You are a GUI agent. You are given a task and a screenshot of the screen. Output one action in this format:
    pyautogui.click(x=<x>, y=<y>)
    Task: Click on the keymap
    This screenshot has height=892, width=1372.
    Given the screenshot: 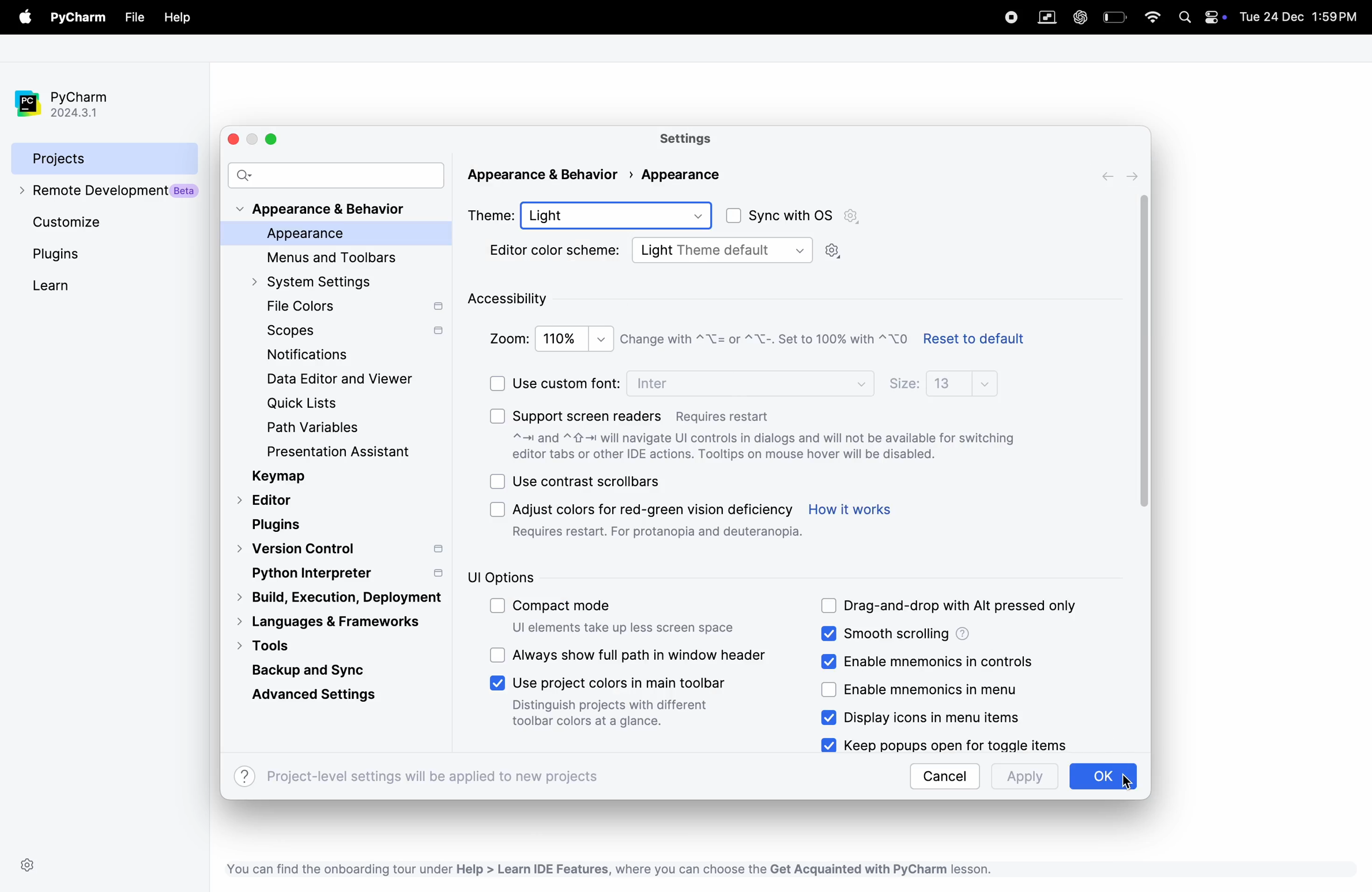 What is the action you would take?
    pyautogui.click(x=311, y=478)
    